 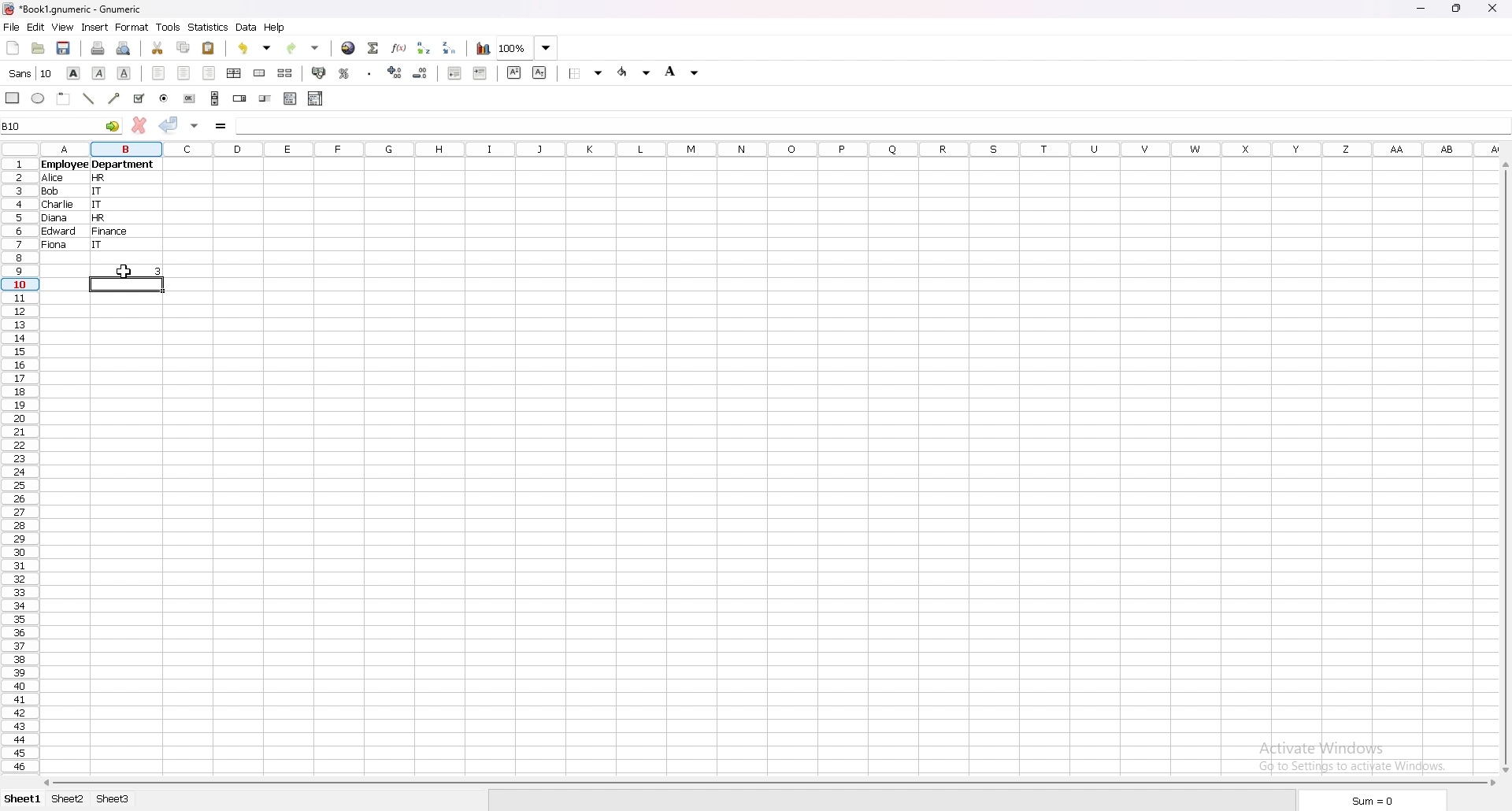 I want to click on accept changes, so click(x=169, y=125).